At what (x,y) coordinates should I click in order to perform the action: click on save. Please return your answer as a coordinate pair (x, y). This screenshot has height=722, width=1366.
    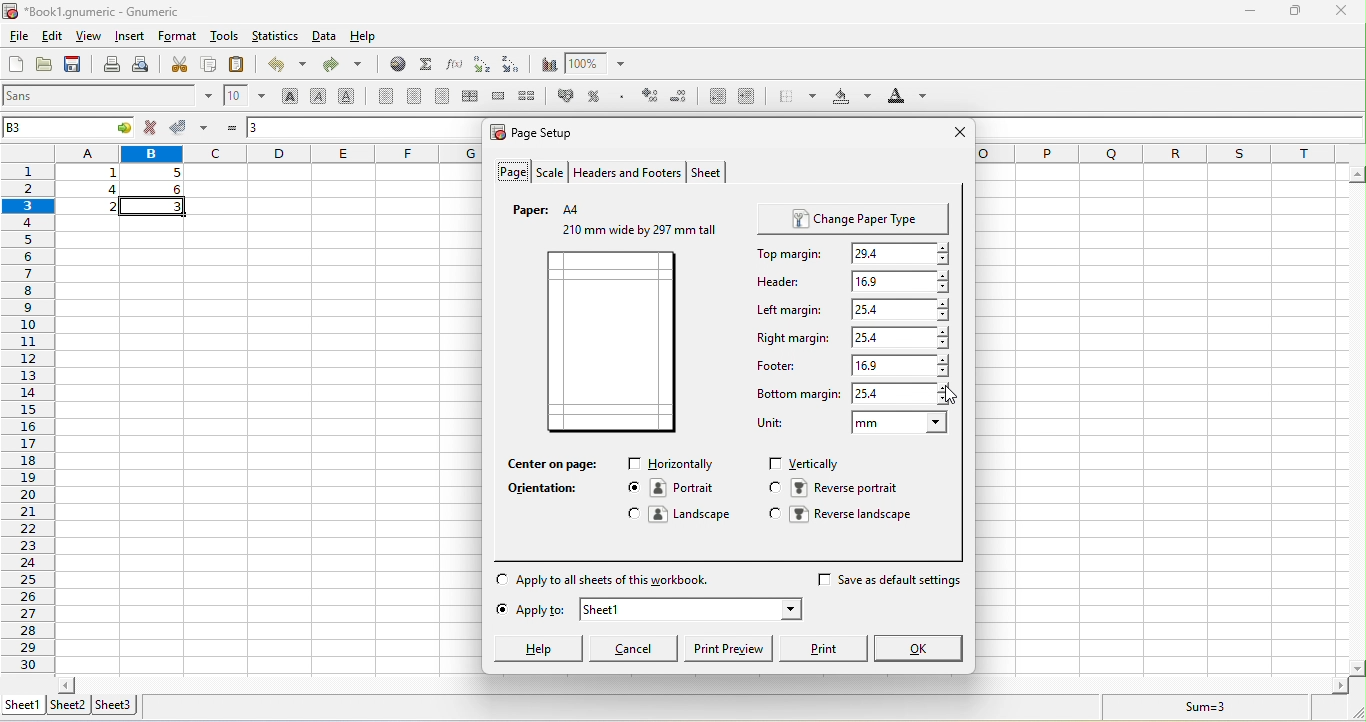
    Looking at the image, I should click on (76, 65).